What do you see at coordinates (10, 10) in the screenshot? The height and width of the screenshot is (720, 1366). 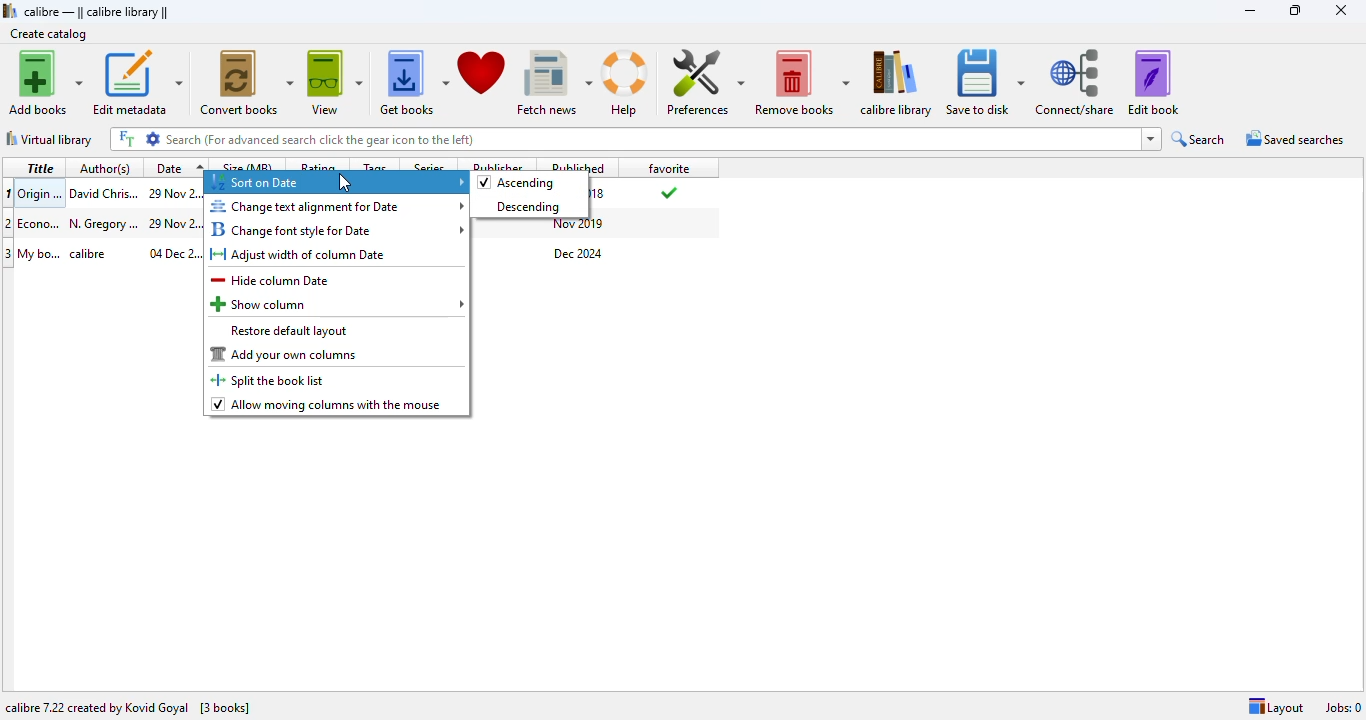 I see `logo` at bounding box center [10, 10].